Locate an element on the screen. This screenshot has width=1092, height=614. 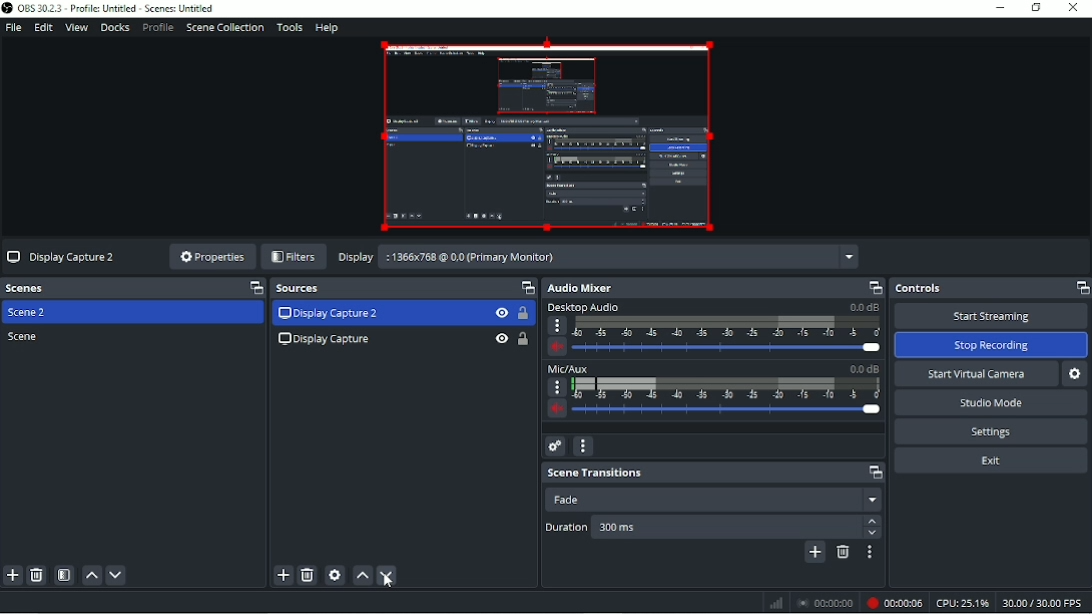
Move scene down is located at coordinates (115, 576).